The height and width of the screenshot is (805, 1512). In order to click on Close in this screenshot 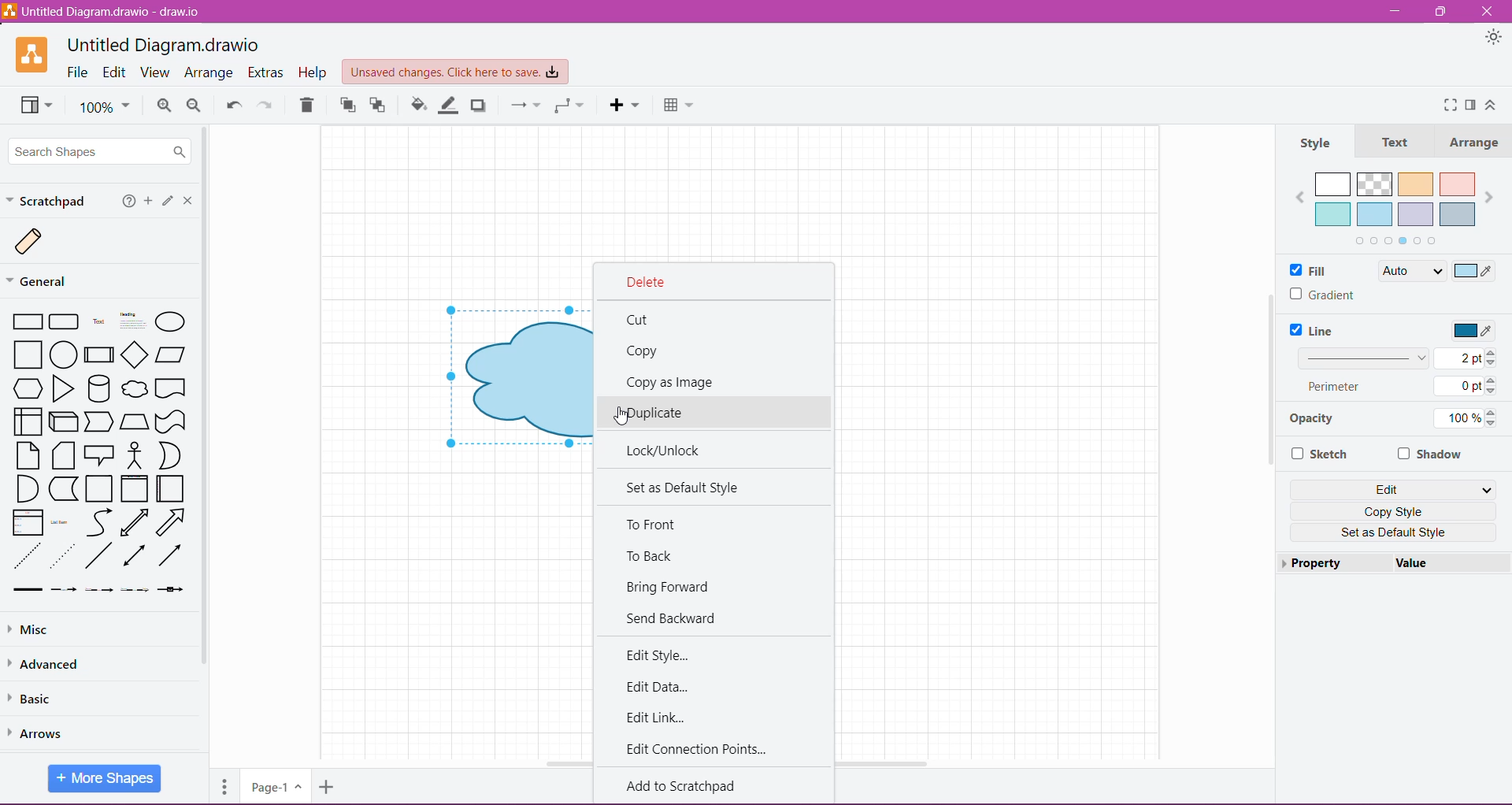, I will do `click(191, 202)`.